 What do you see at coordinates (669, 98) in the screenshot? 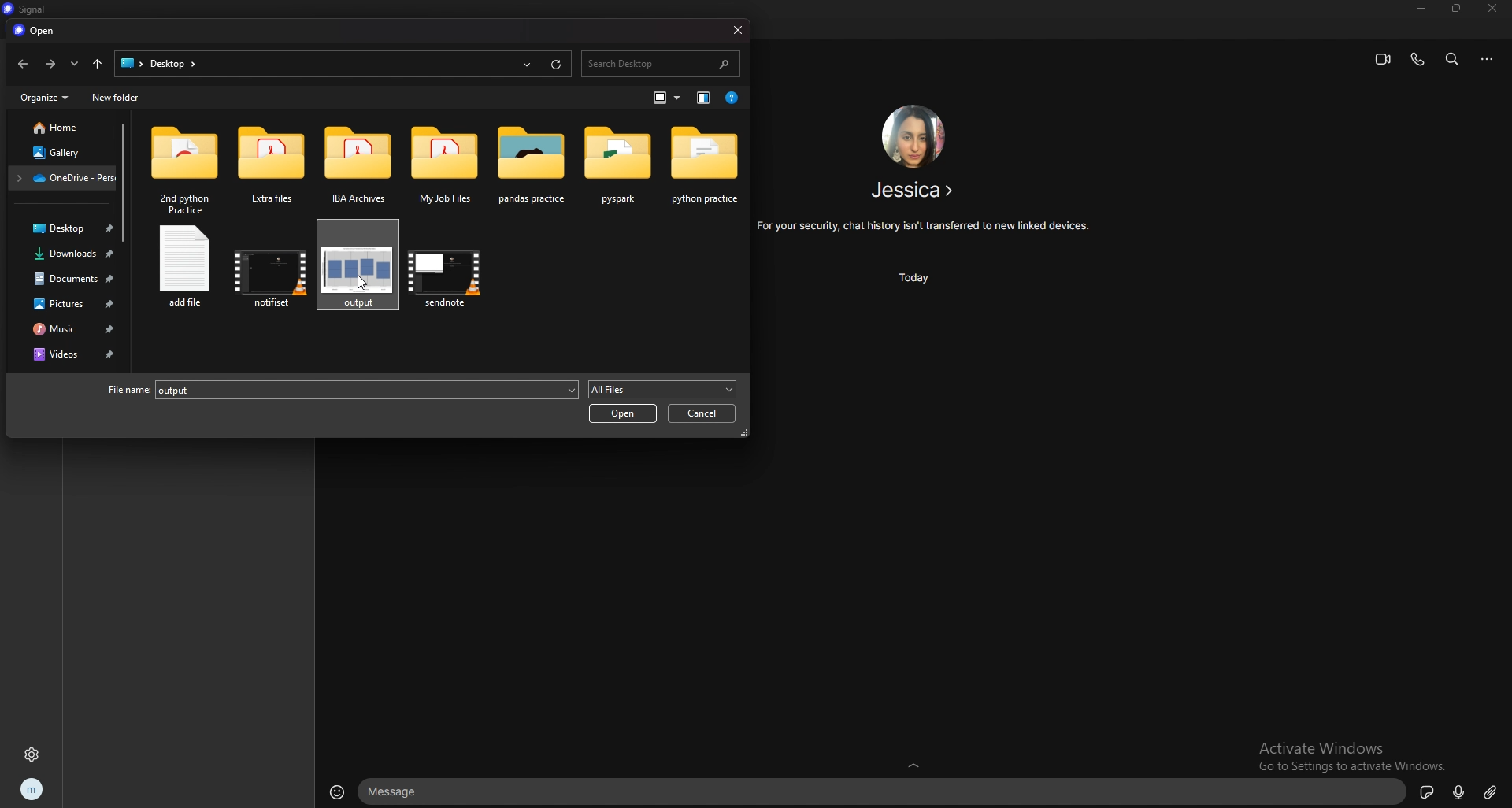
I see `change view` at bounding box center [669, 98].